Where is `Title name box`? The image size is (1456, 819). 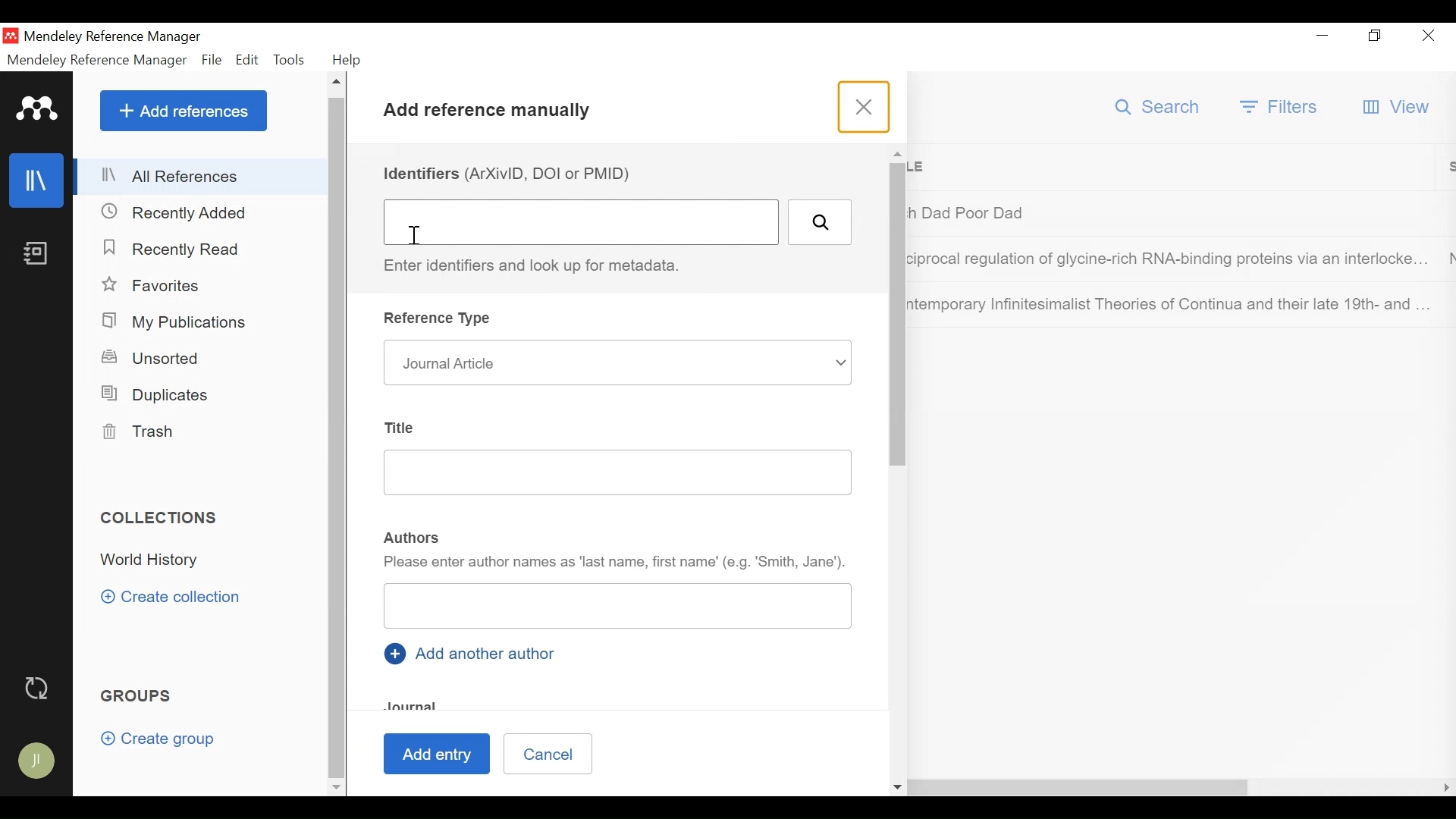 Title name box is located at coordinates (604, 475).